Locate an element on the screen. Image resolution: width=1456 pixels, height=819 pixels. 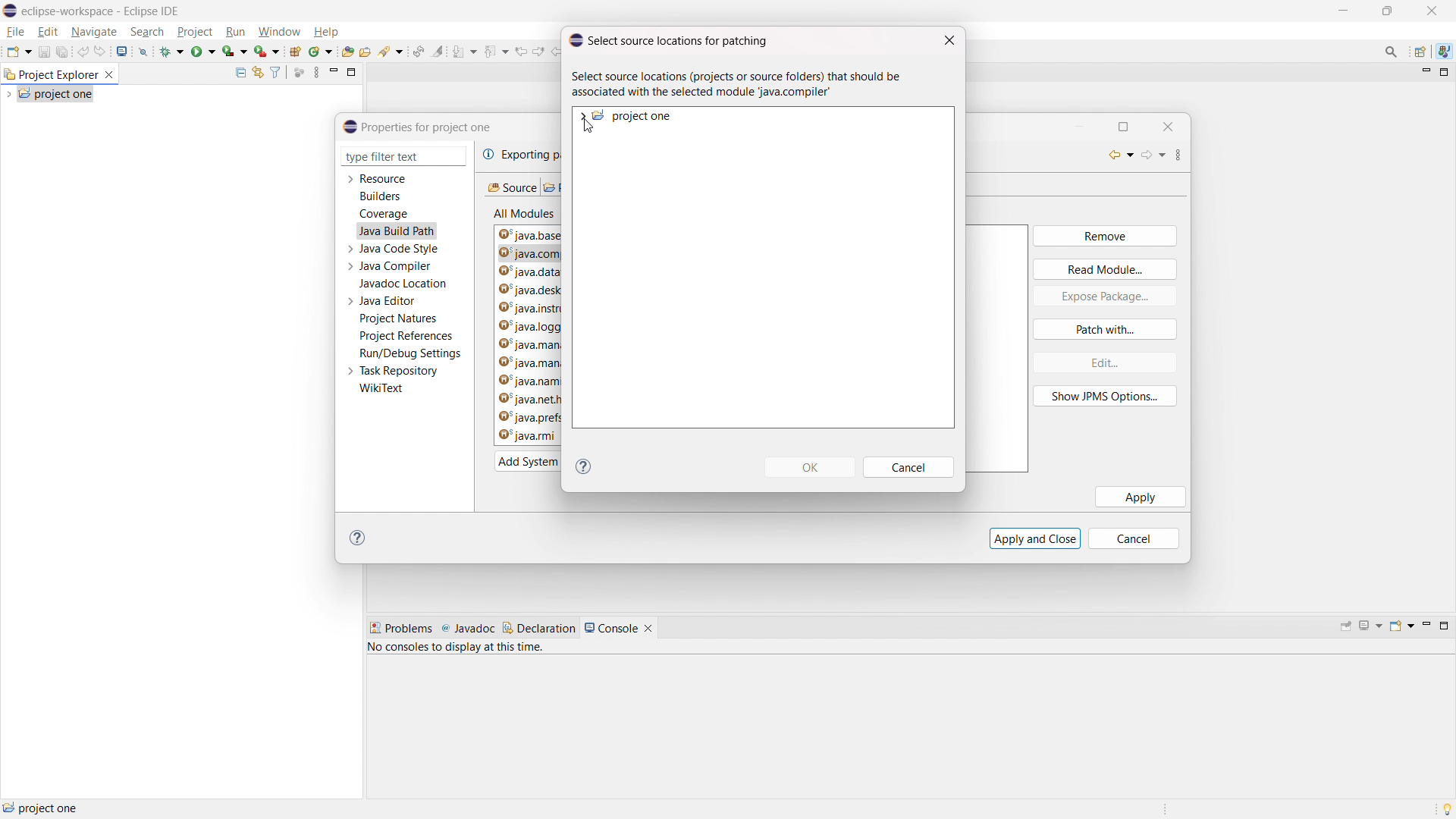
run is located at coordinates (236, 32).